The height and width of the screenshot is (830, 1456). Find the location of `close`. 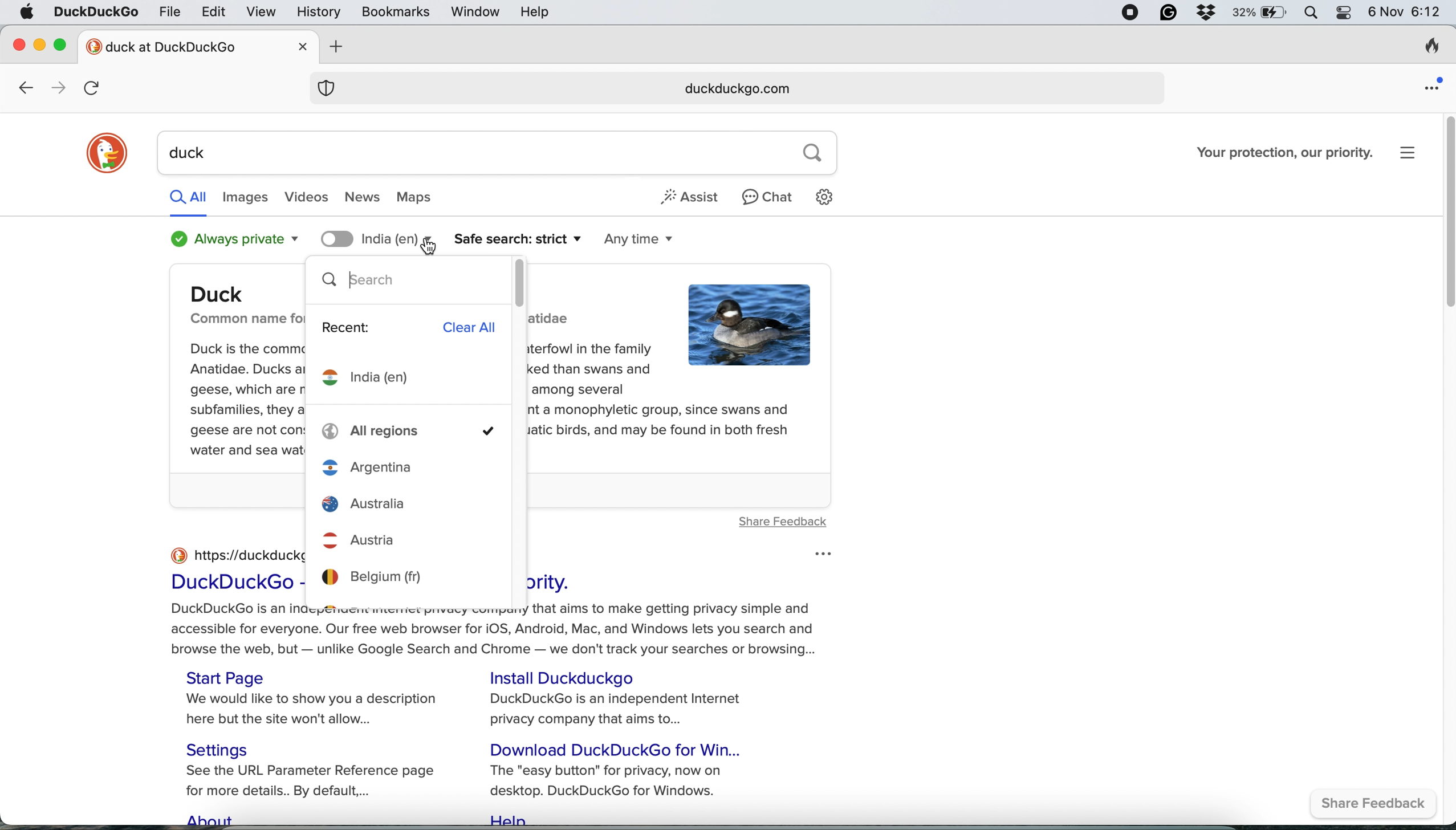

close is located at coordinates (19, 42).